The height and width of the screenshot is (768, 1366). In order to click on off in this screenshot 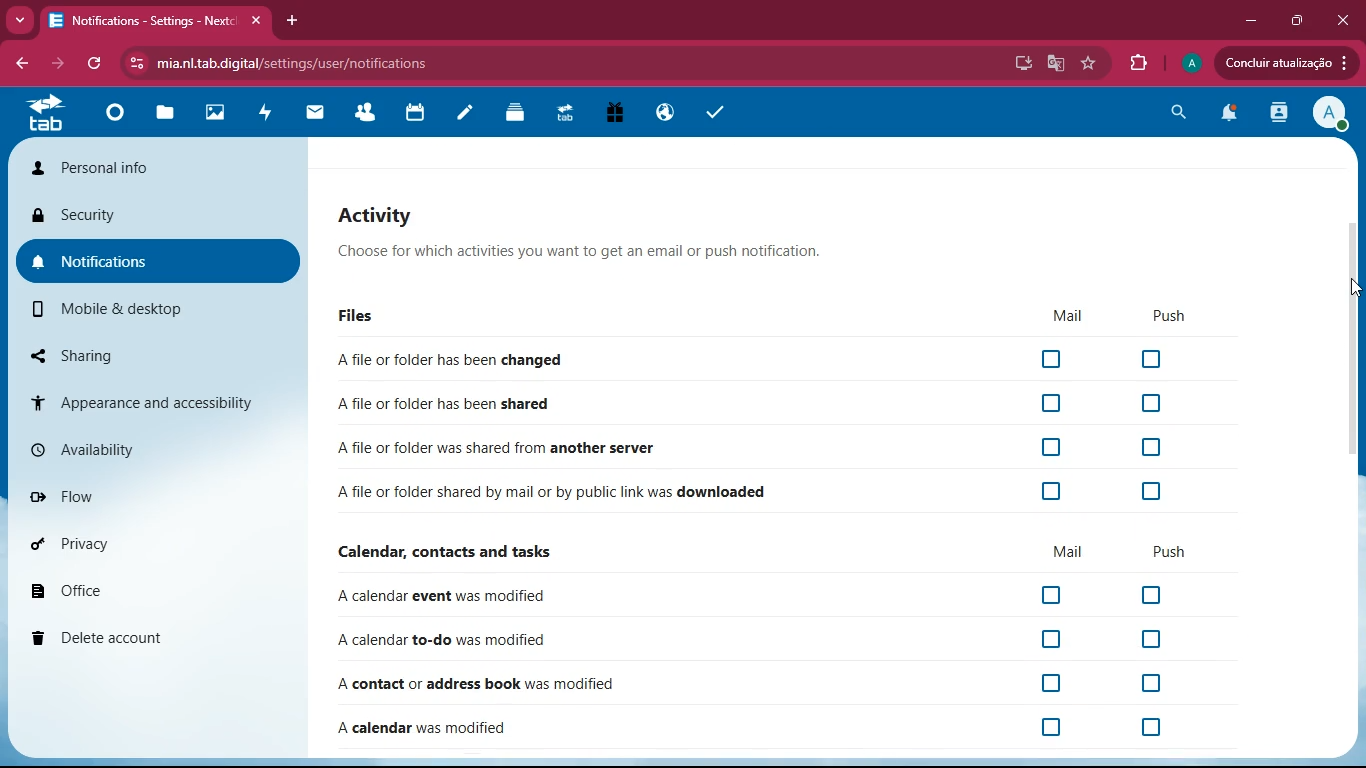, I will do `click(1159, 727)`.